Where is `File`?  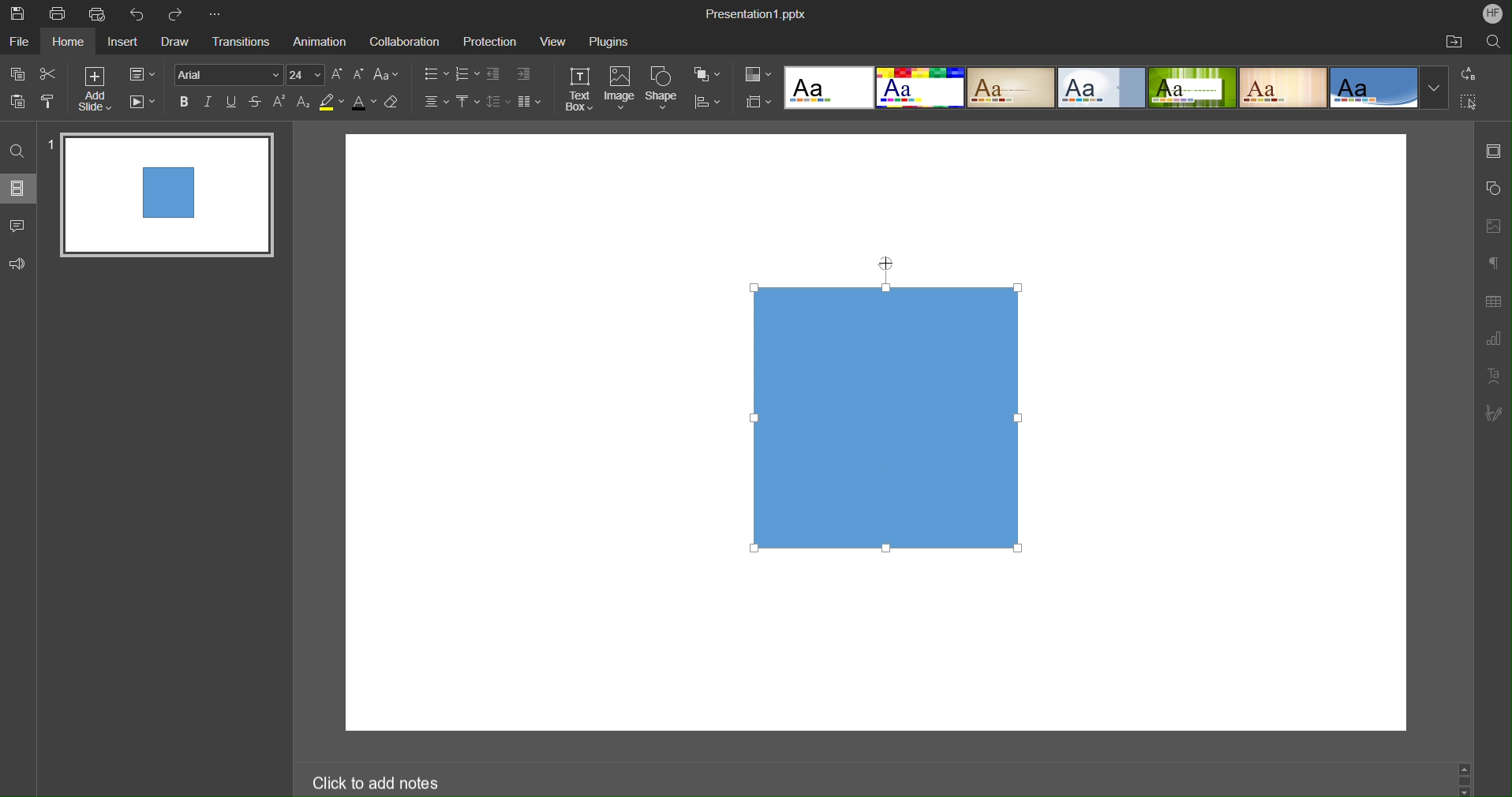
File is located at coordinates (20, 39).